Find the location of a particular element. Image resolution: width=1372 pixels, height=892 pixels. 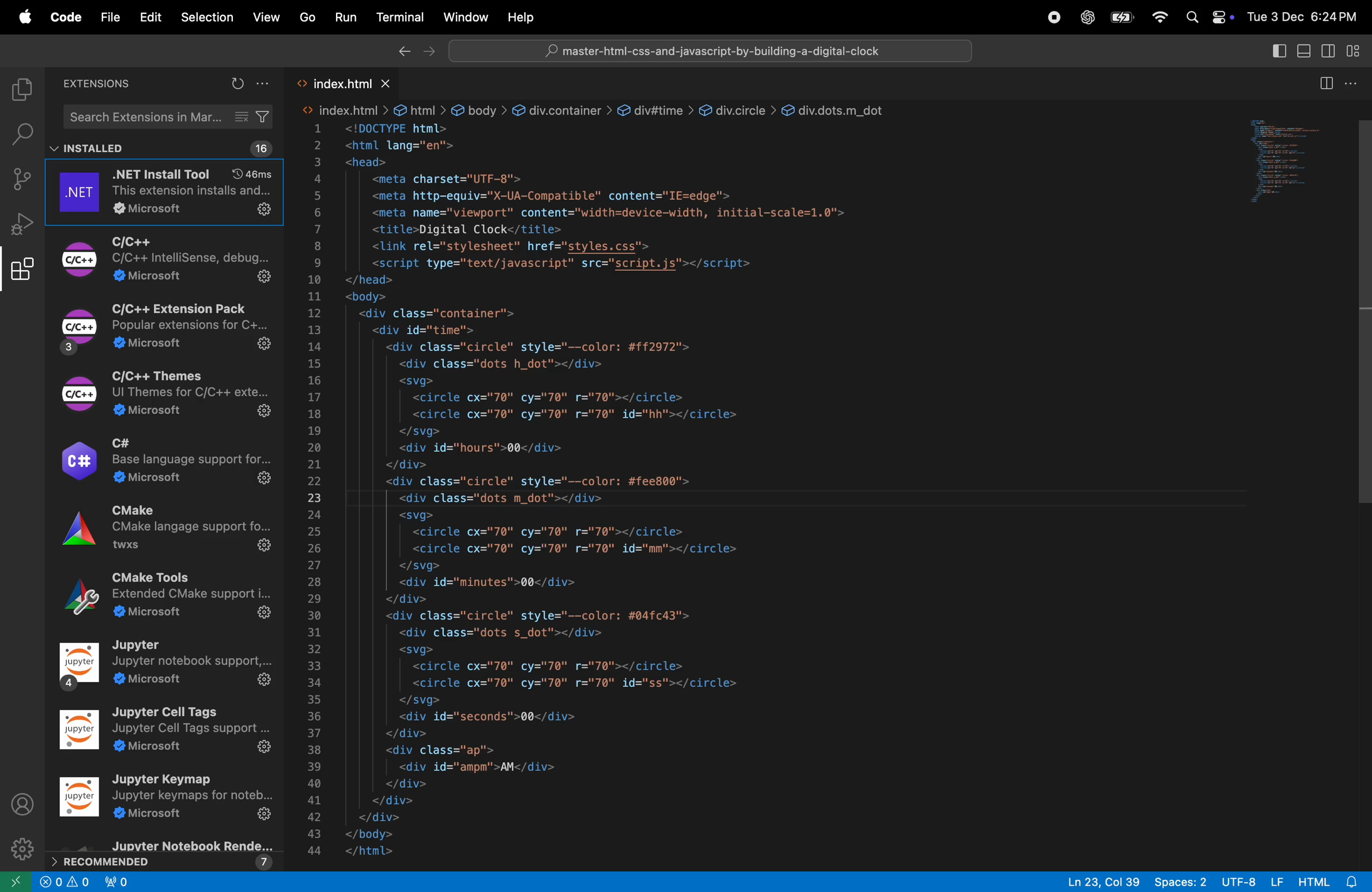

more actions is located at coordinates (263, 82).